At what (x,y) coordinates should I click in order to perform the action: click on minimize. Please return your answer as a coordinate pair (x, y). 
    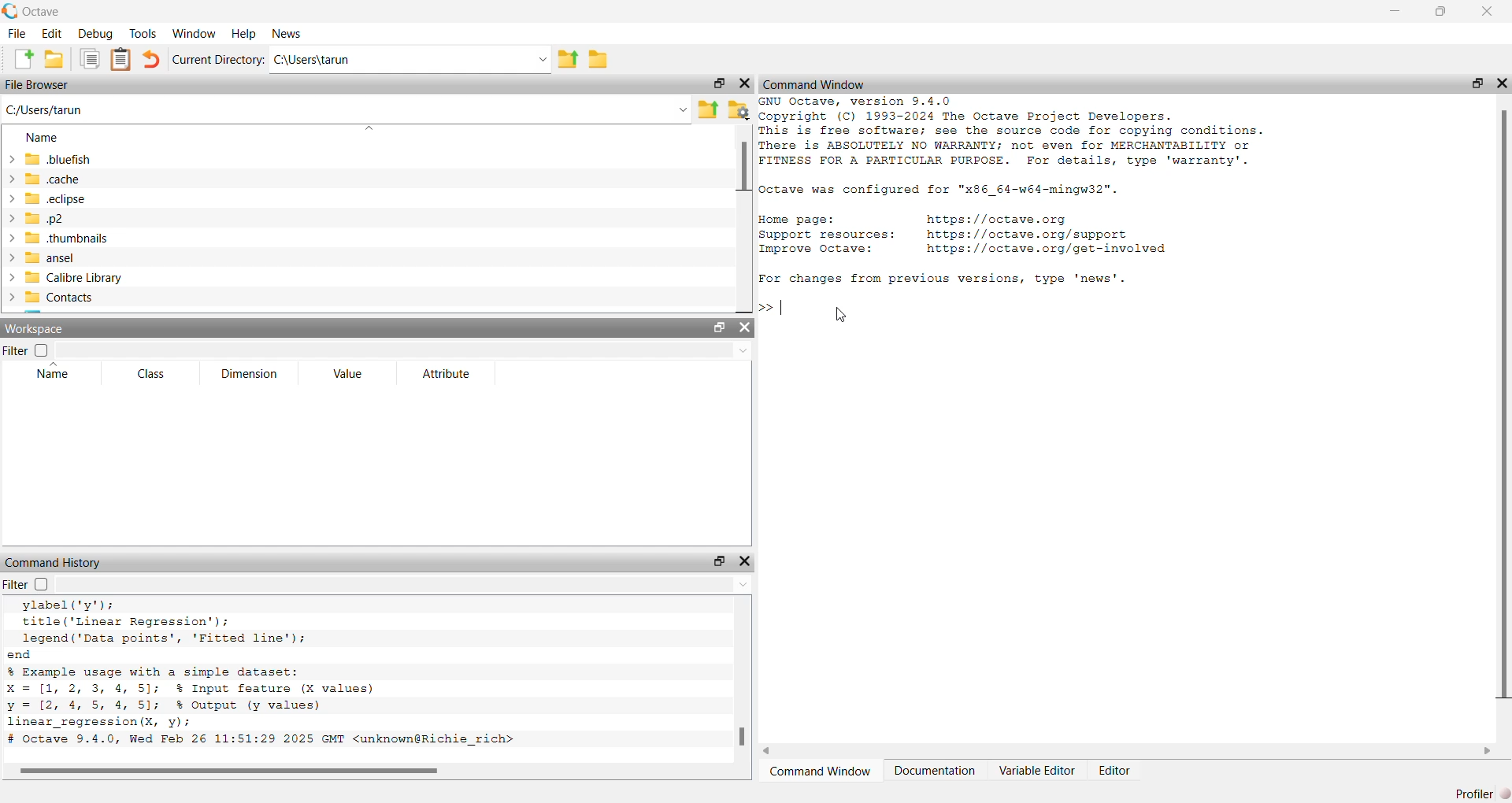
    Looking at the image, I should click on (1391, 9).